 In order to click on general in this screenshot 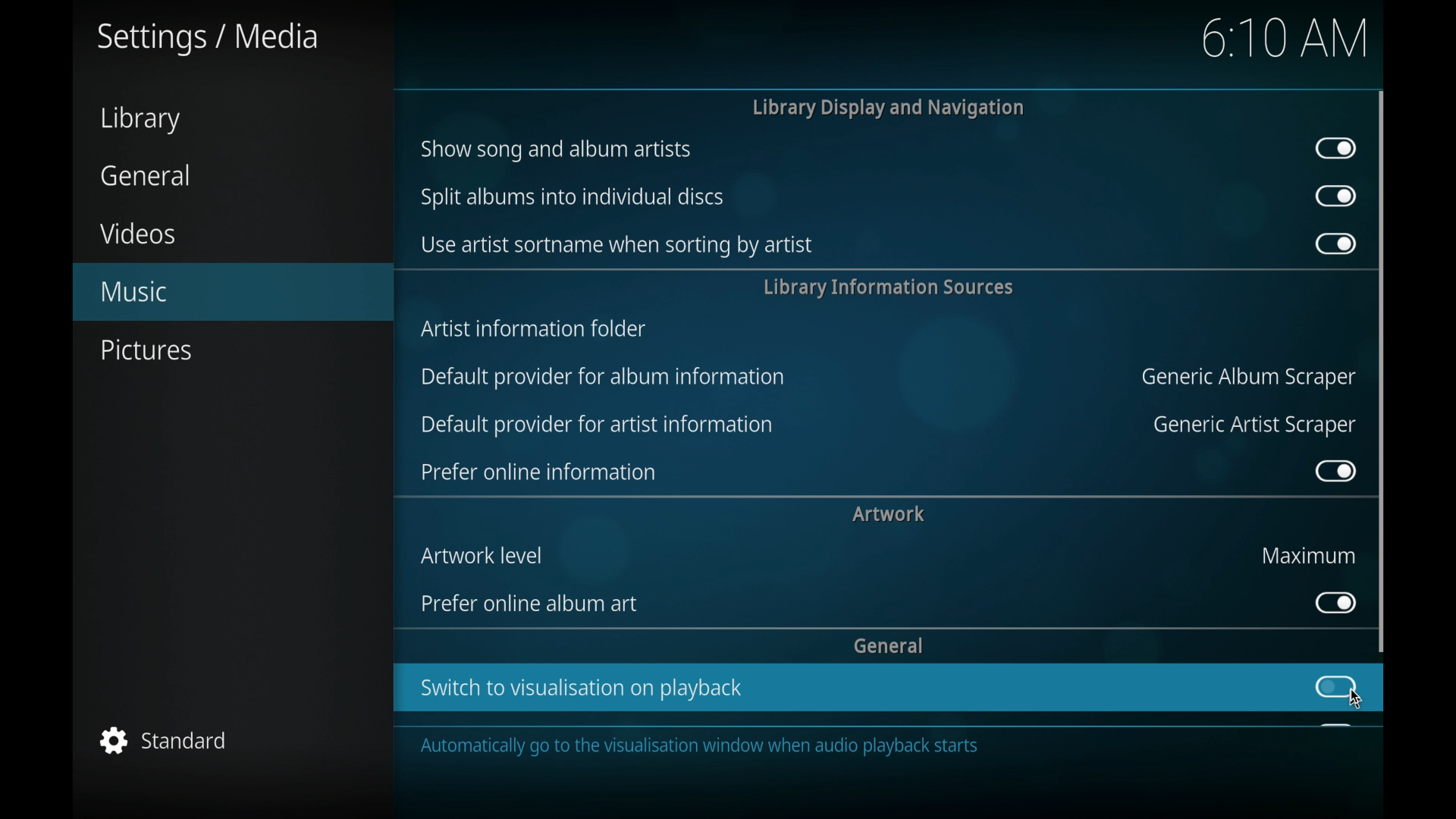, I will do `click(889, 645)`.